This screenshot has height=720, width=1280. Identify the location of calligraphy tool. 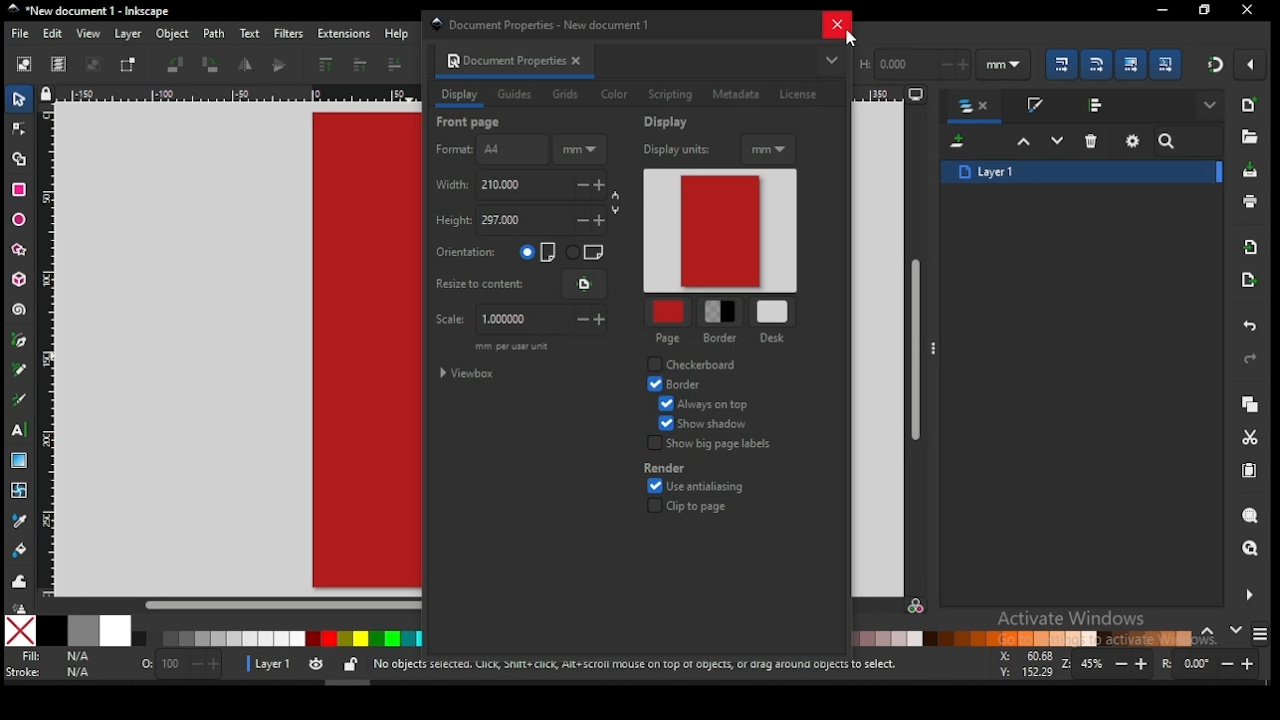
(23, 399).